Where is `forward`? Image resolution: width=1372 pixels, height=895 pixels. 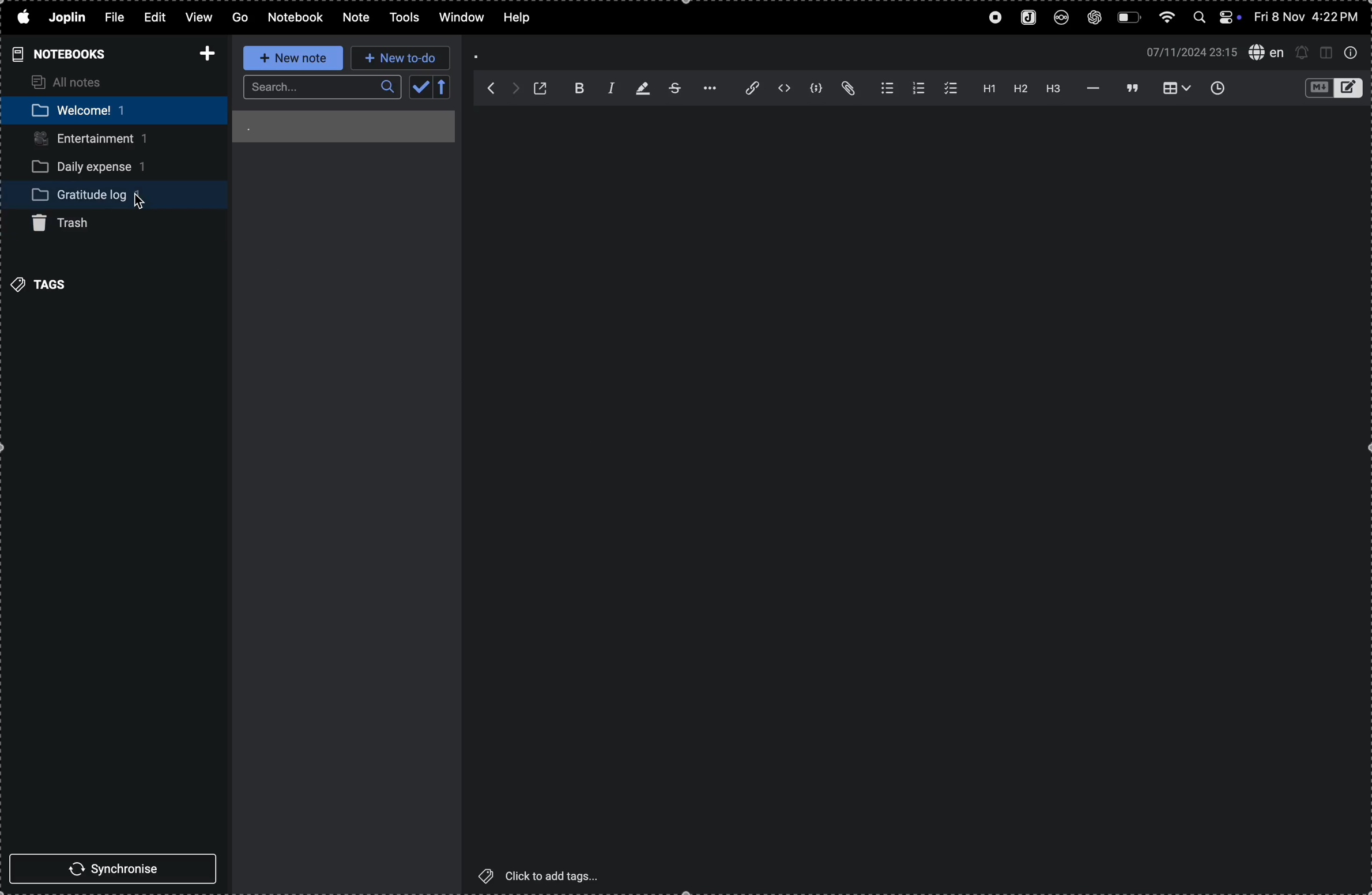
forward is located at coordinates (513, 89).